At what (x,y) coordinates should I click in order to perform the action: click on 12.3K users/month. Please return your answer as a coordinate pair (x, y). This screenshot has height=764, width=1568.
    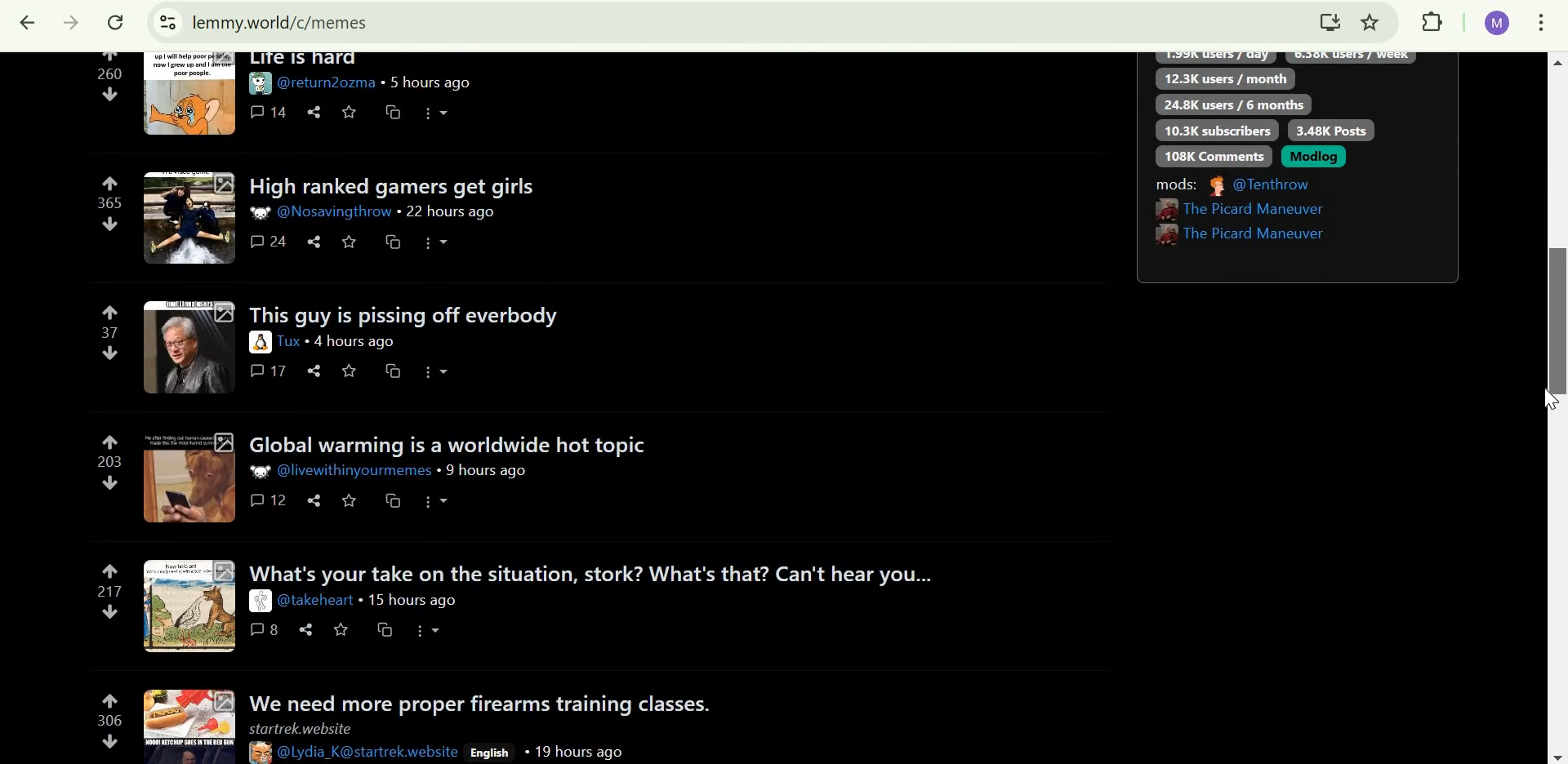
    Looking at the image, I should click on (1225, 78).